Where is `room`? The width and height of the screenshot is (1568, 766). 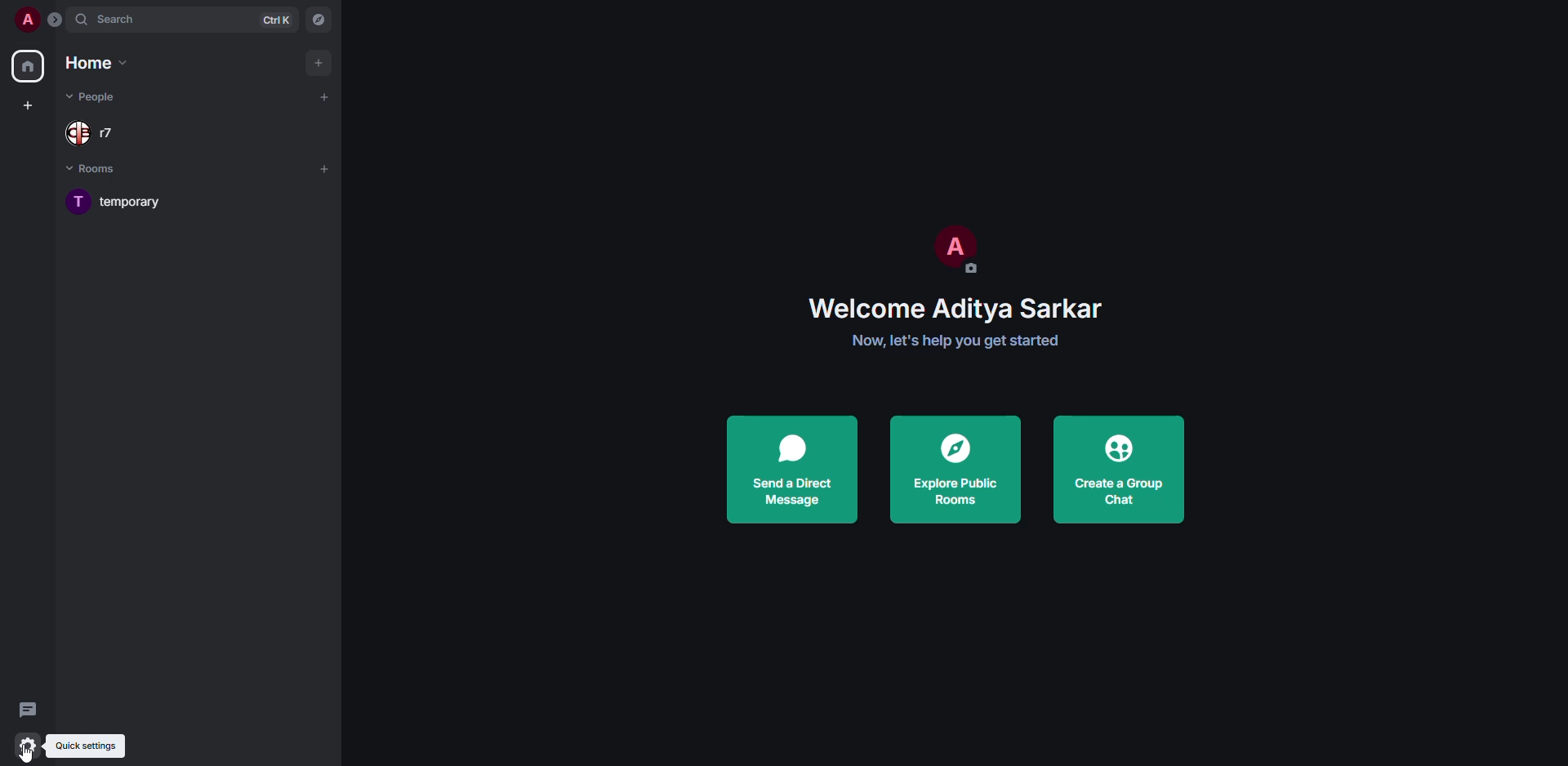 room is located at coordinates (120, 202).